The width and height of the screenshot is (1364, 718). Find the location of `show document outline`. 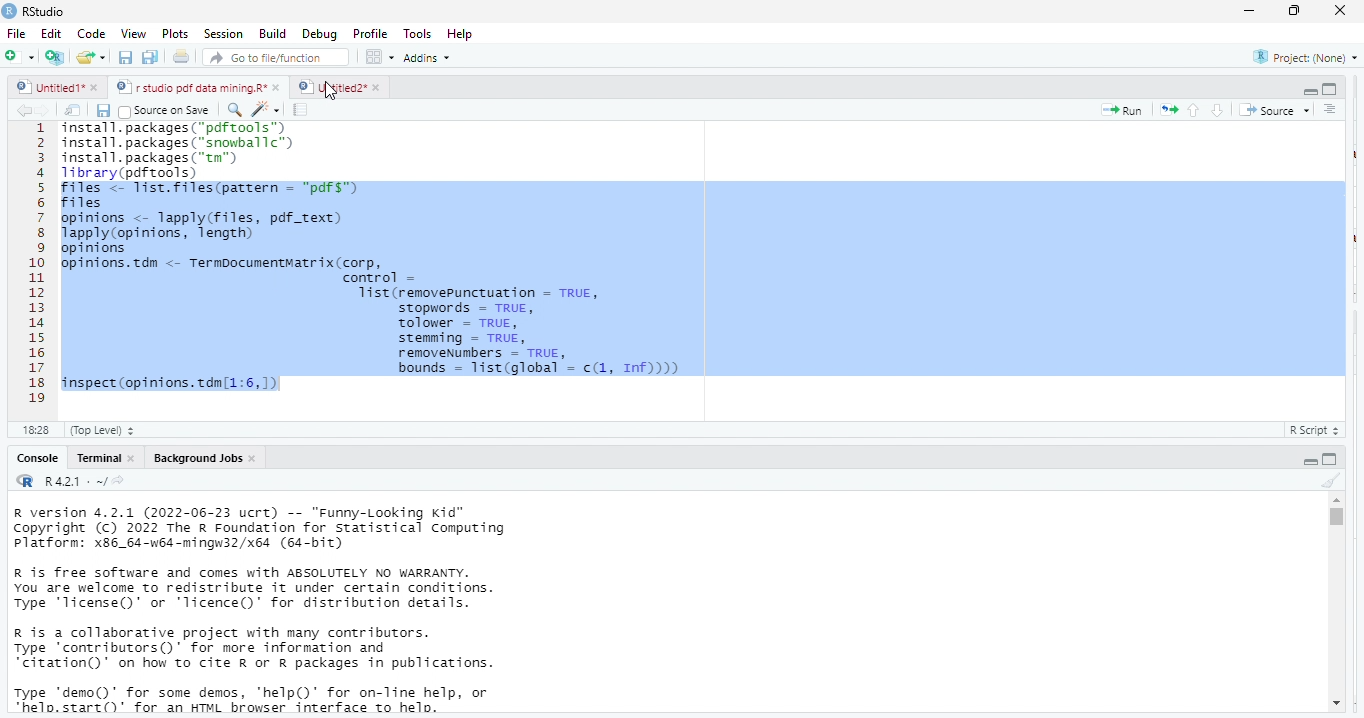

show document outline is located at coordinates (1332, 110).